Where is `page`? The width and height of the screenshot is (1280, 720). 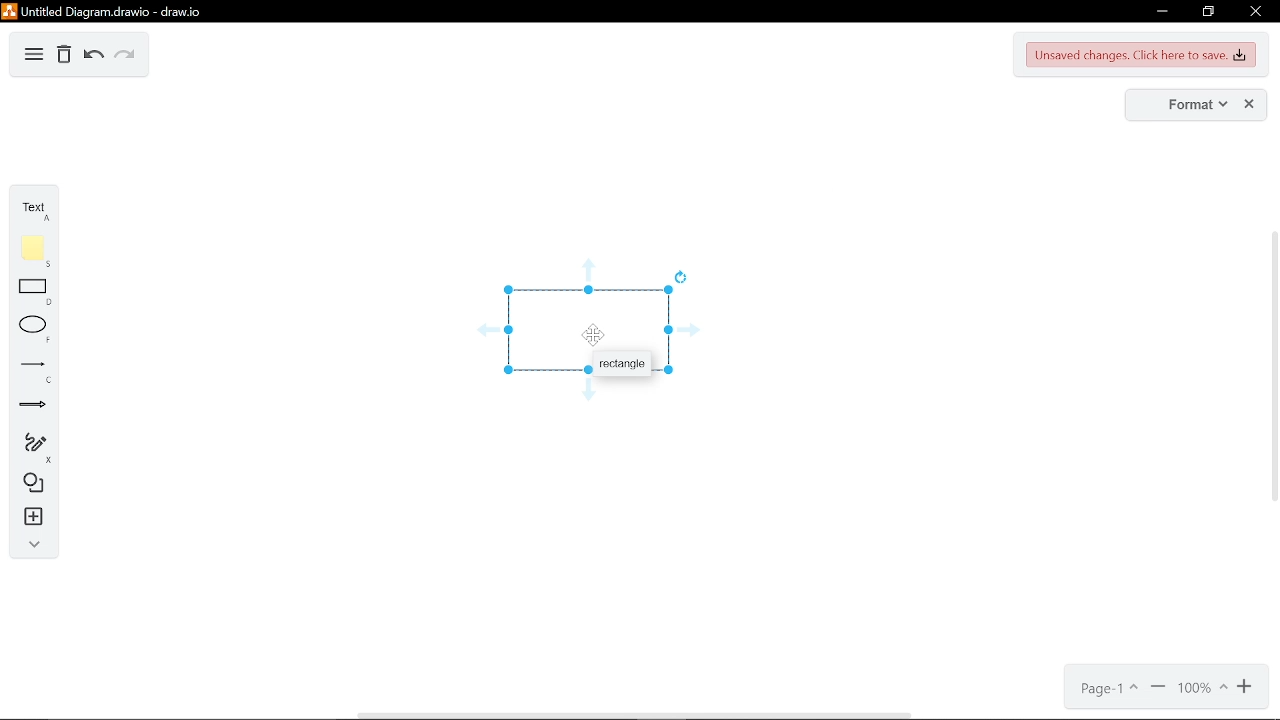
page is located at coordinates (1111, 688).